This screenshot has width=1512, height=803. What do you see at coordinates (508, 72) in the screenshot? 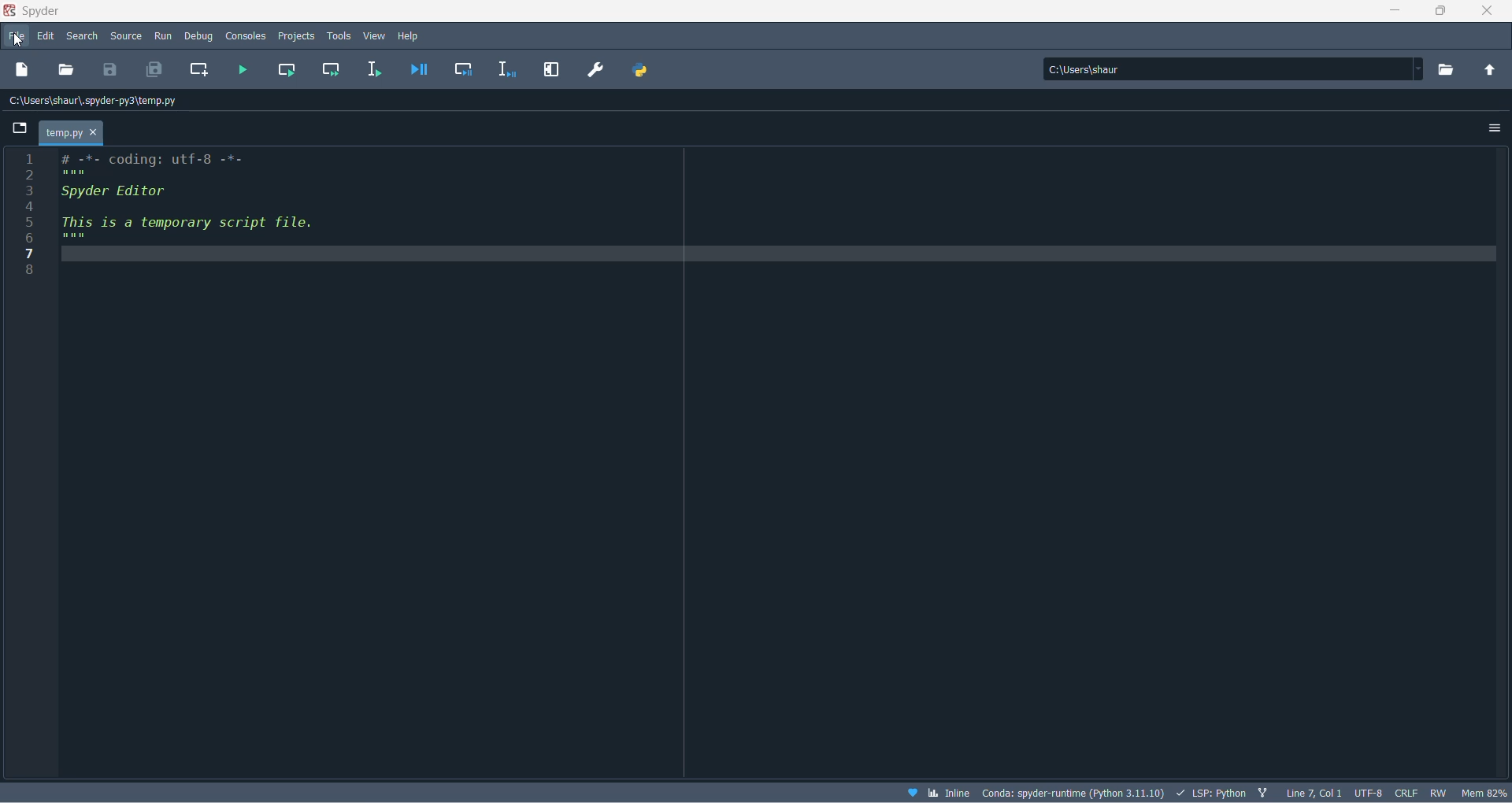
I see `debug selection or current line` at bounding box center [508, 72].